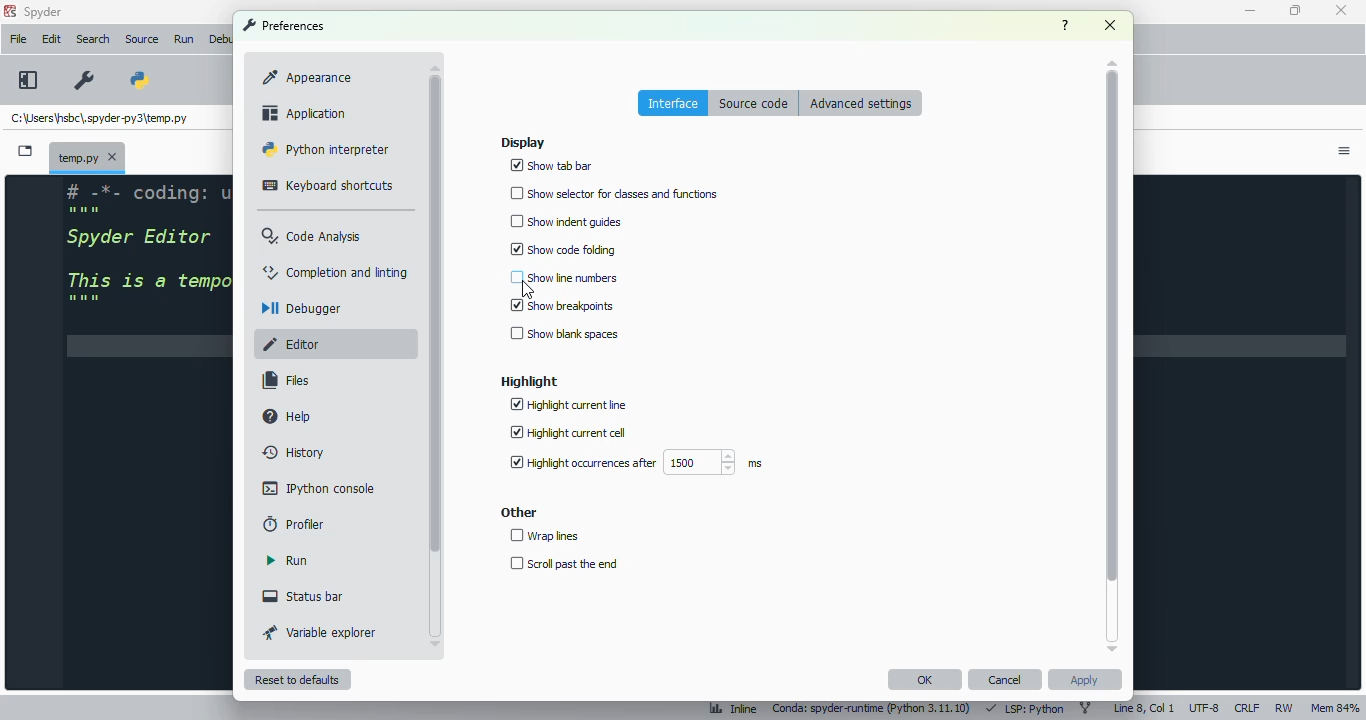  Describe the element at coordinates (526, 290) in the screenshot. I see `cursor` at that location.